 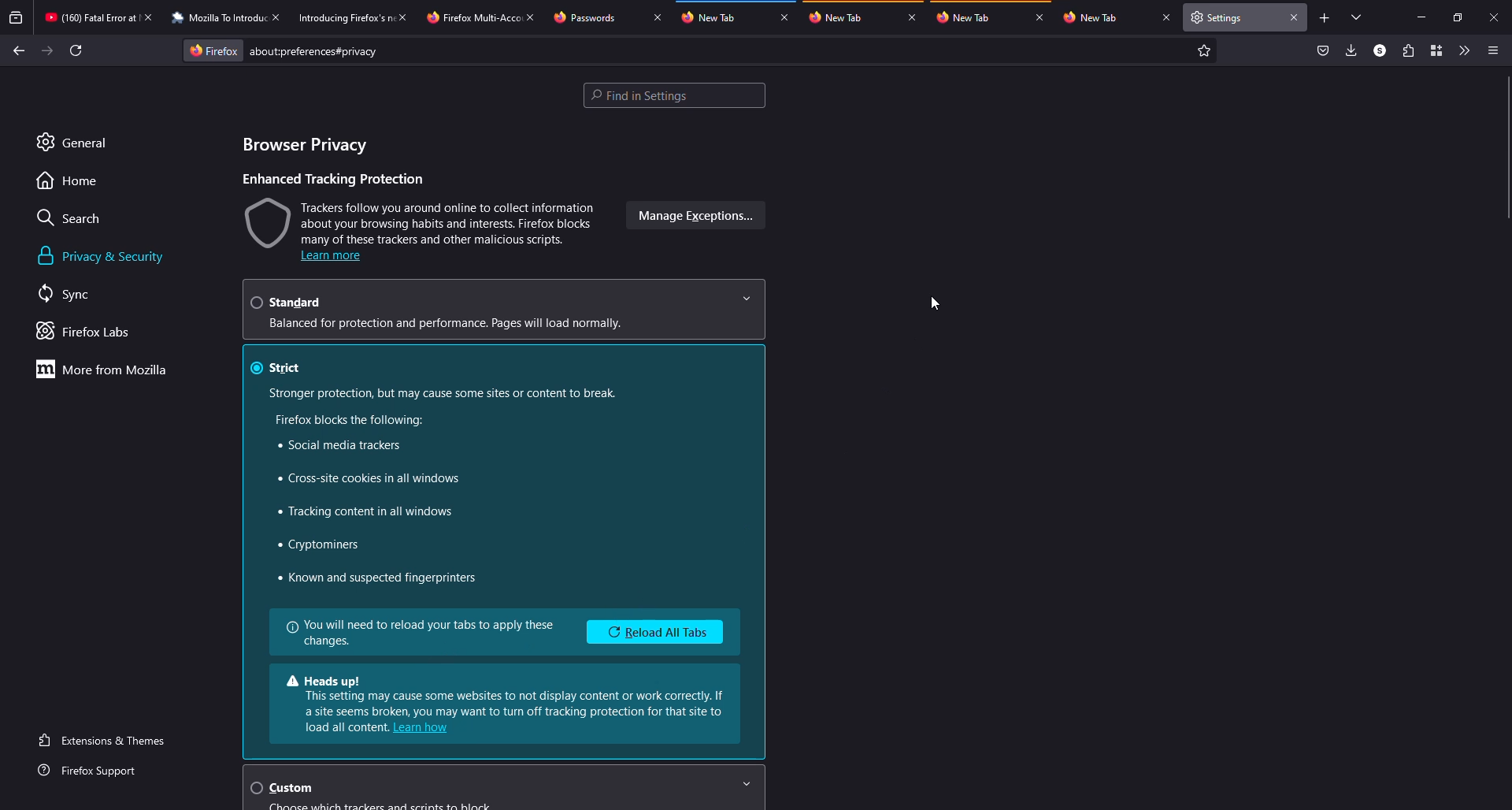 What do you see at coordinates (422, 633) in the screenshot?
I see `info` at bounding box center [422, 633].